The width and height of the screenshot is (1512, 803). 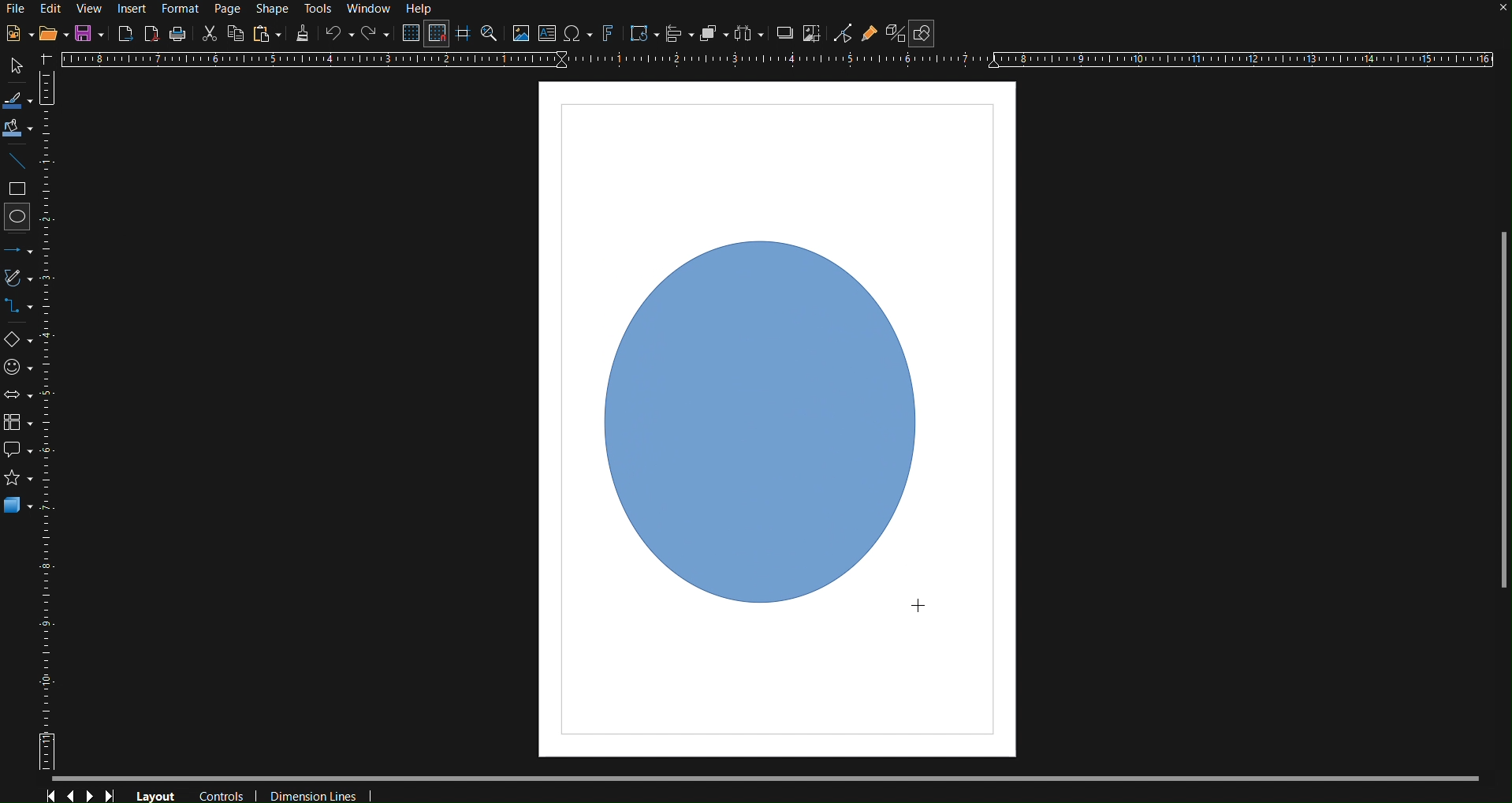 What do you see at coordinates (18, 129) in the screenshot?
I see `Fill Color` at bounding box center [18, 129].